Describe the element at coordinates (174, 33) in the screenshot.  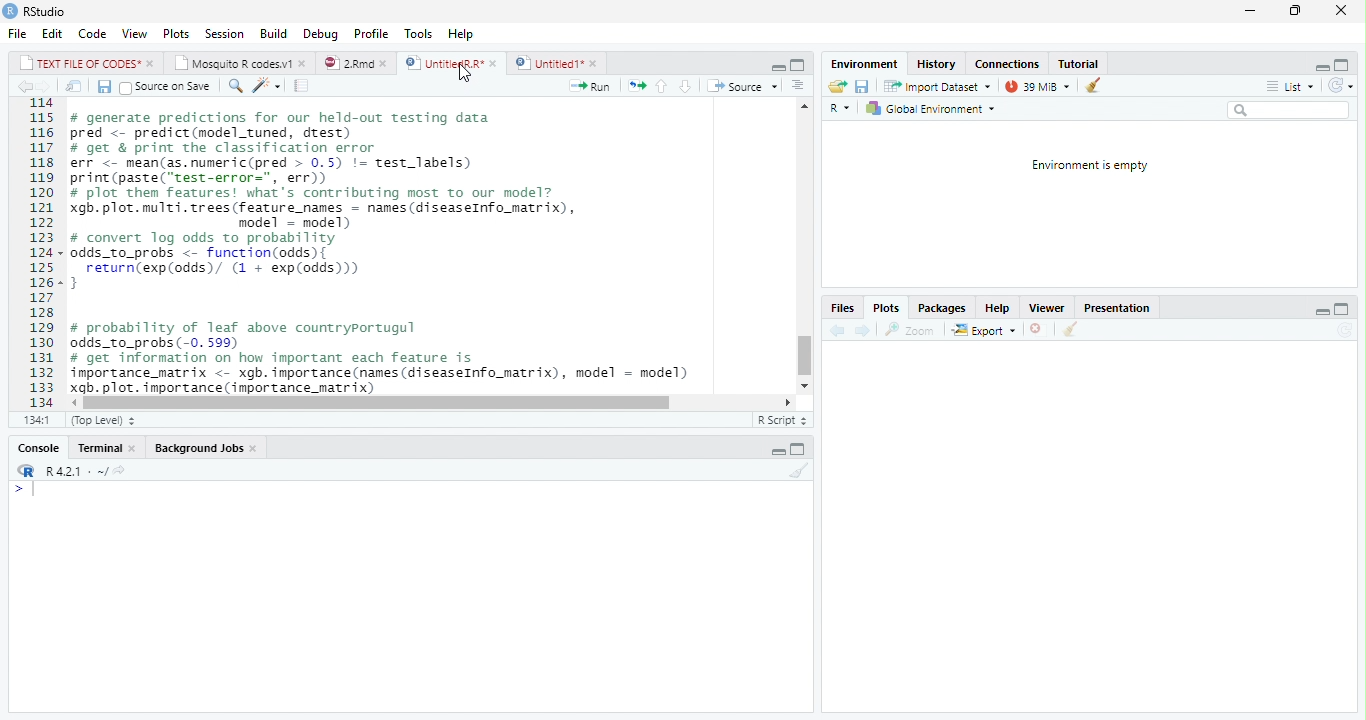
I see `Plots` at that location.